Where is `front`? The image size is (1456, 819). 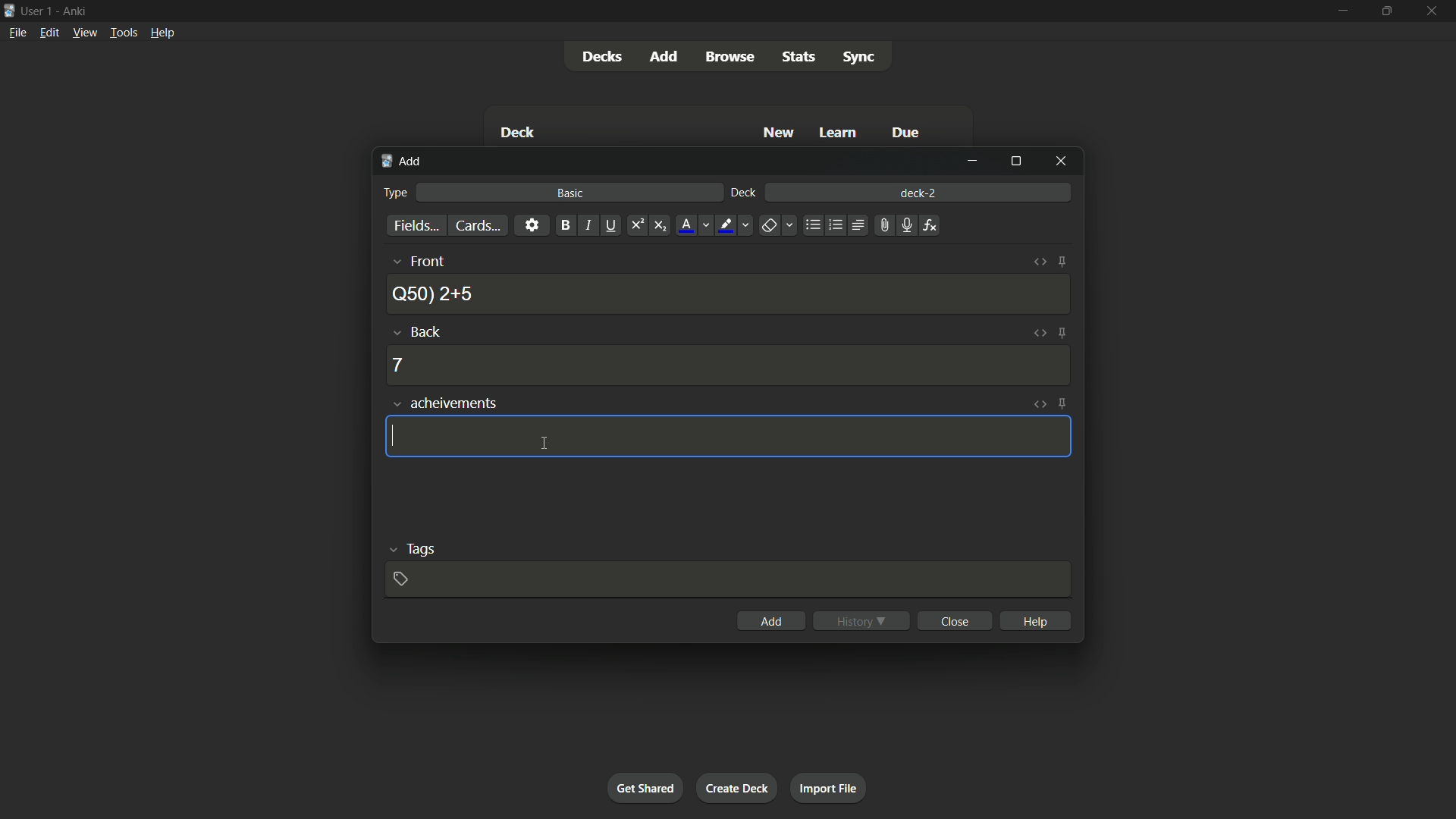 front is located at coordinates (416, 261).